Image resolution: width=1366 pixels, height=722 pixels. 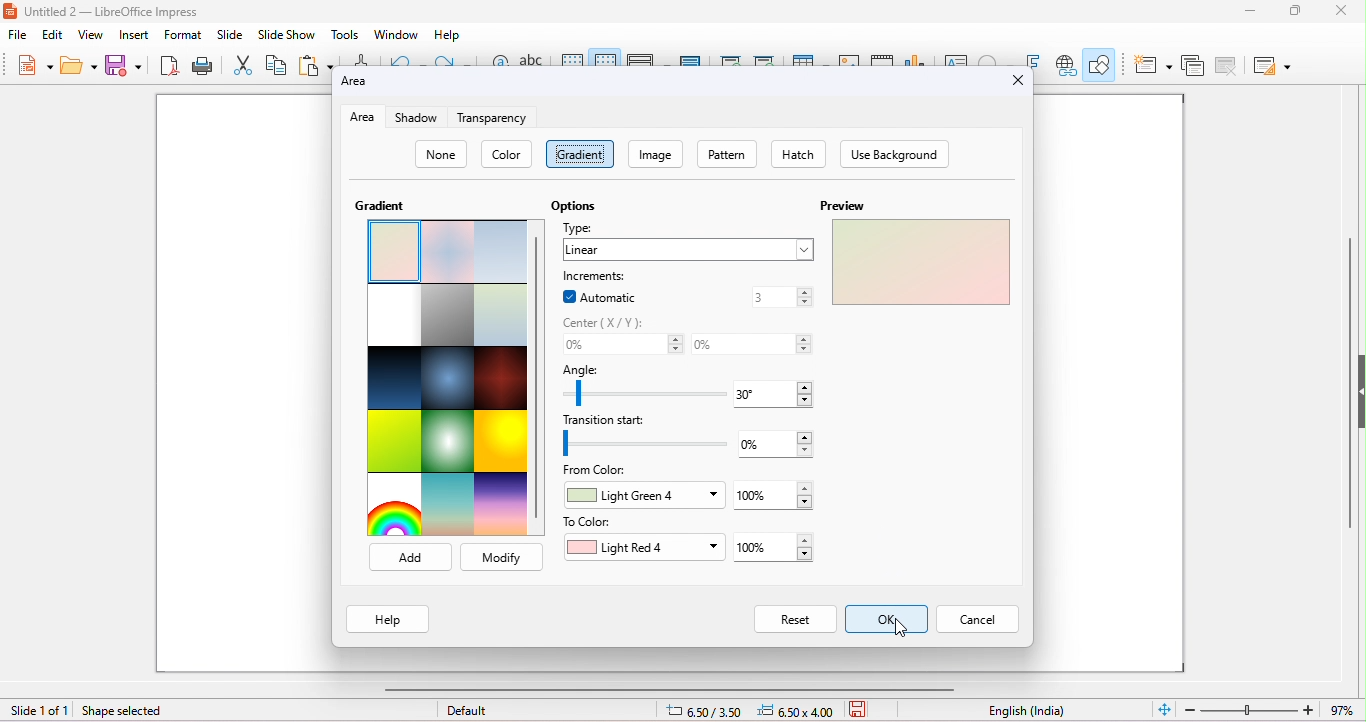 What do you see at coordinates (538, 379) in the screenshot?
I see `vertical scroll for gradient` at bounding box center [538, 379].